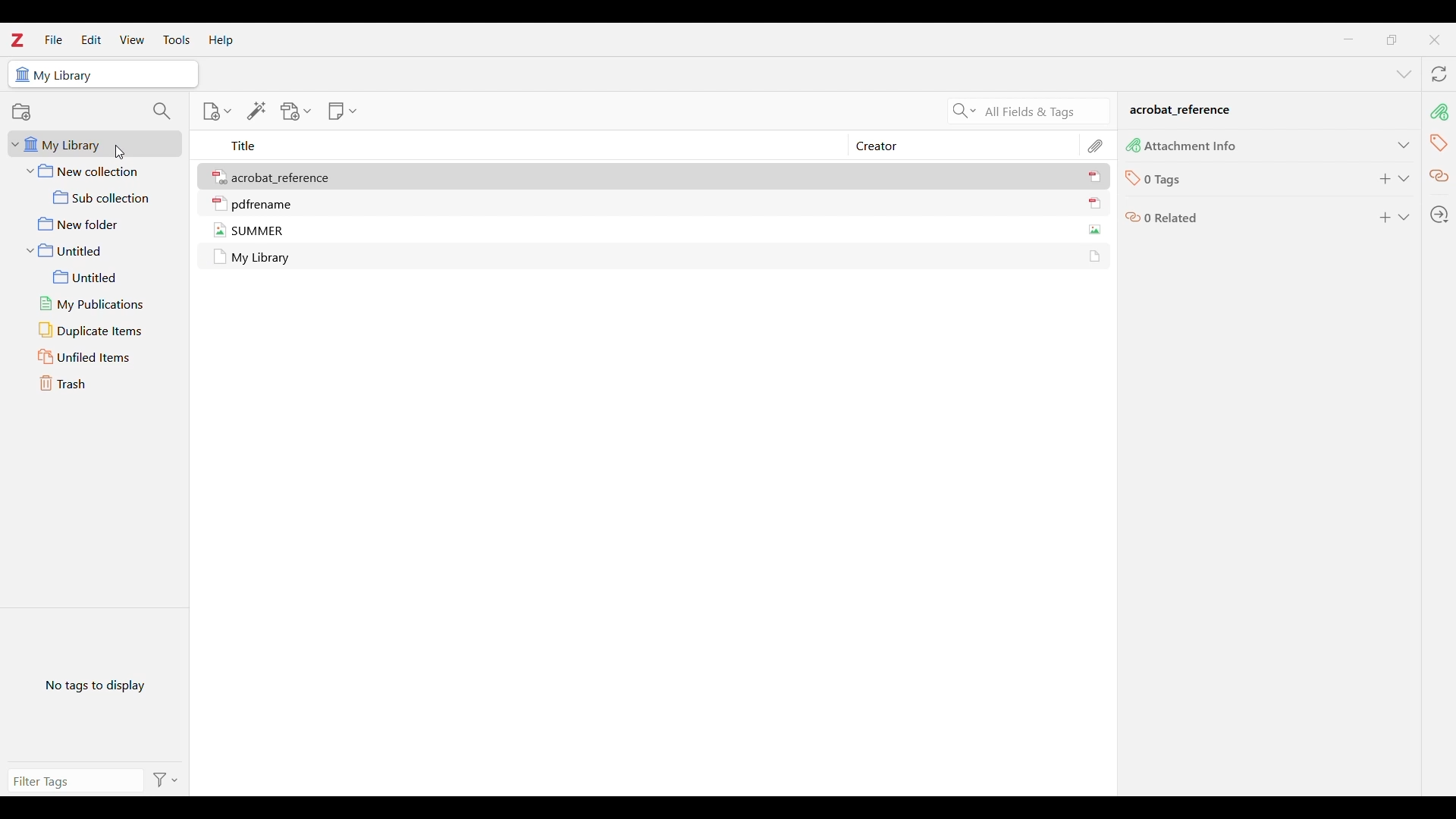 Image resolution: width=1456 pixels, height=819 pixels. Describe the element at coordinates (1133, 219) in the screenshot. I see `icon` at that location.